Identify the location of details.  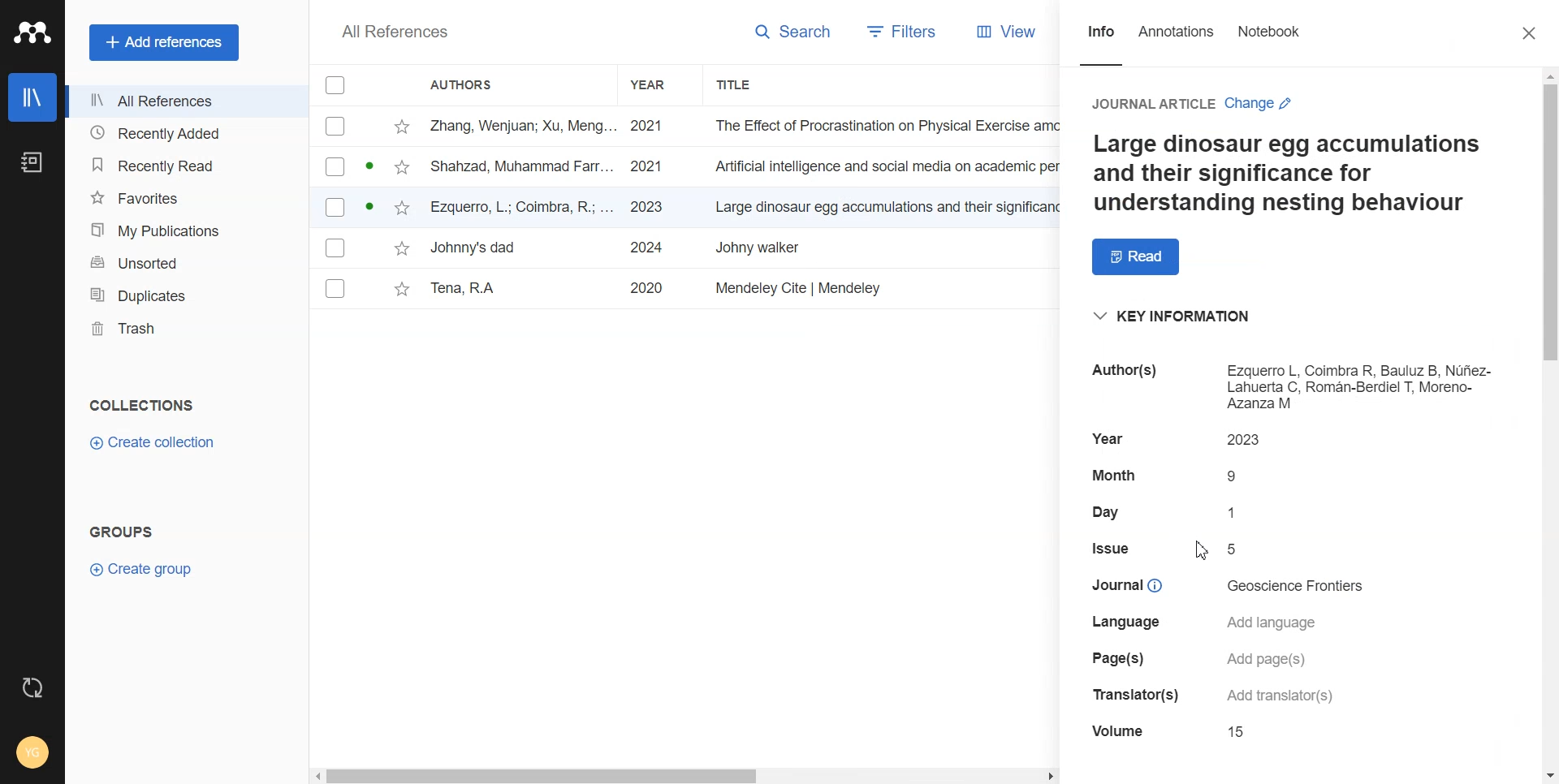
(1111, 439).